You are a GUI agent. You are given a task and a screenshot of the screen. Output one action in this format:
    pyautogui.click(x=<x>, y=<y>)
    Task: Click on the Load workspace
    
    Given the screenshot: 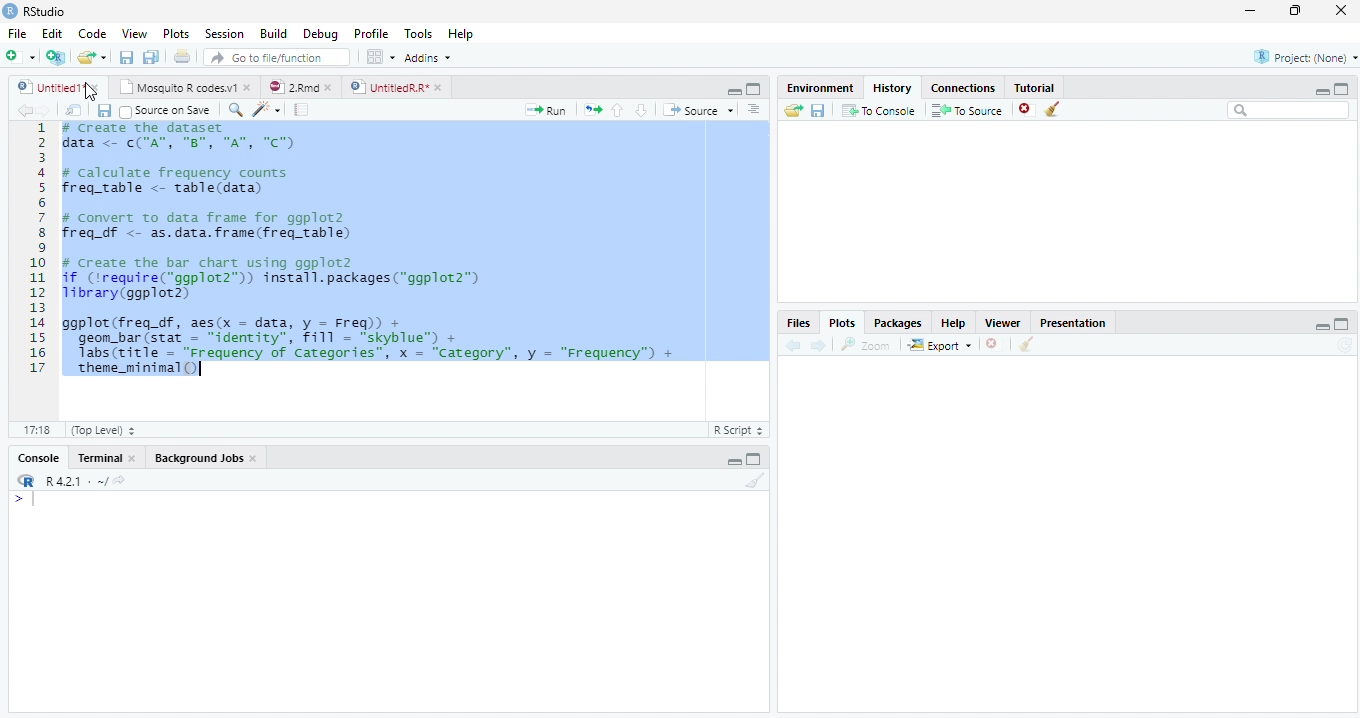 What is the action you would take?
    pyautogui.click(x=790, y=112)
    